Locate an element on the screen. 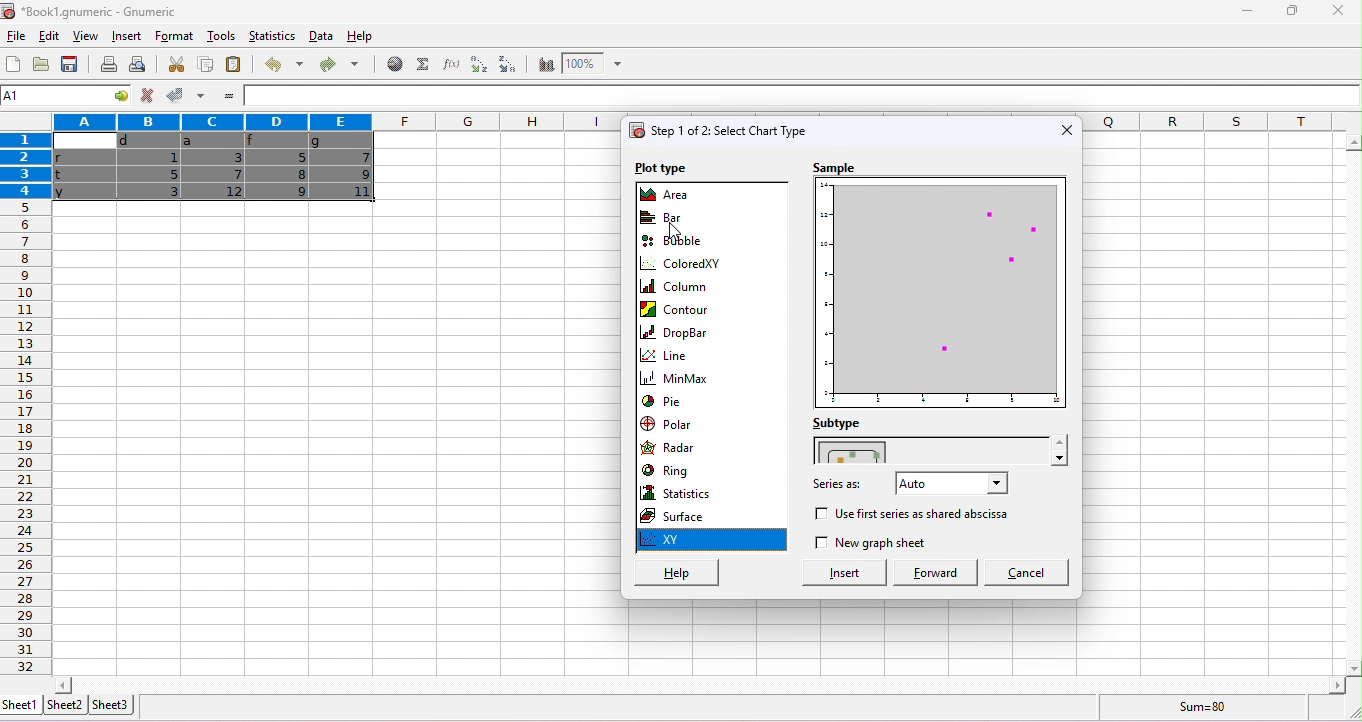 The image size is (1362, 722). contour is located at coordinates (680, 310).